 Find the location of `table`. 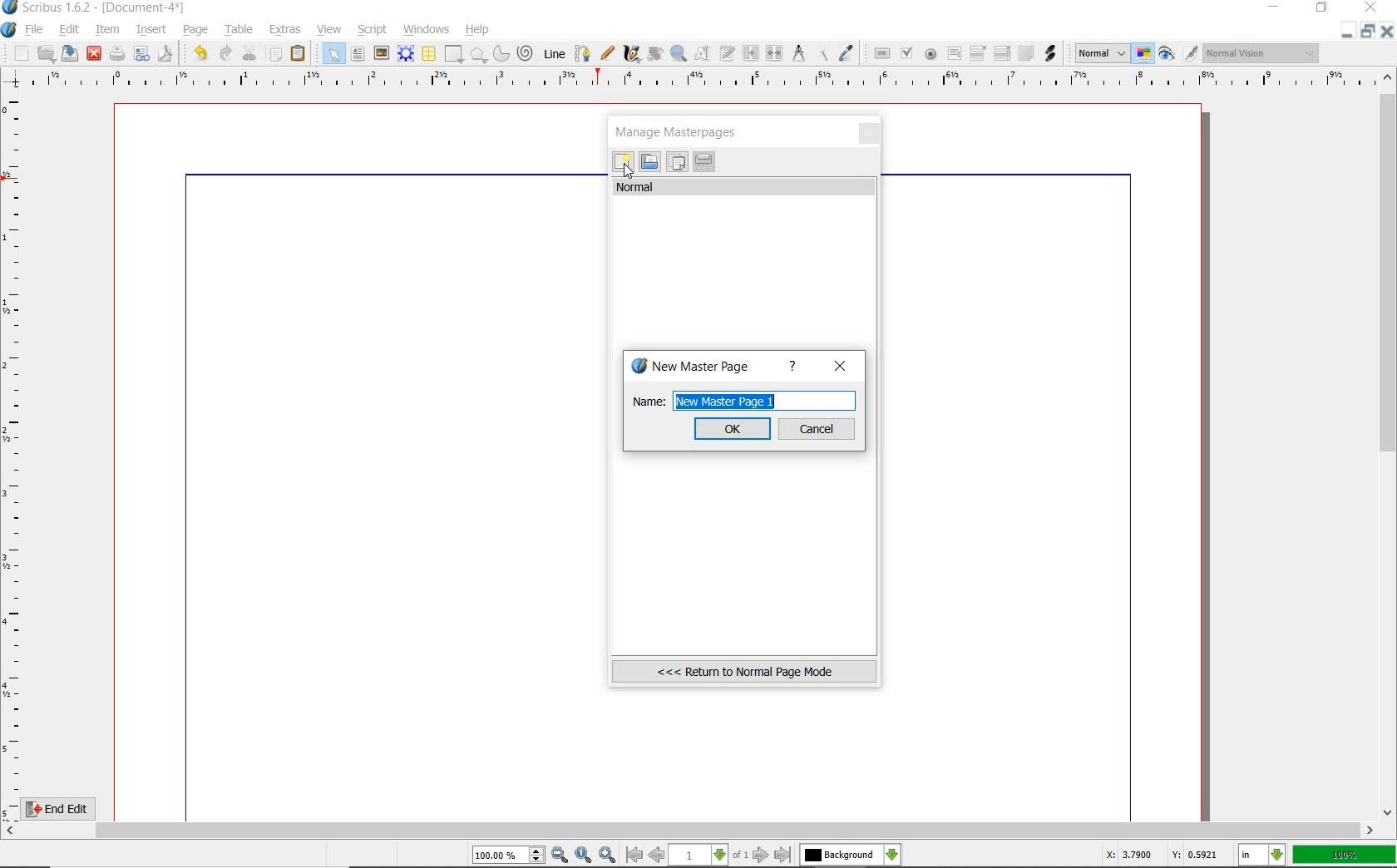

table is located at coordinates (236, 29).